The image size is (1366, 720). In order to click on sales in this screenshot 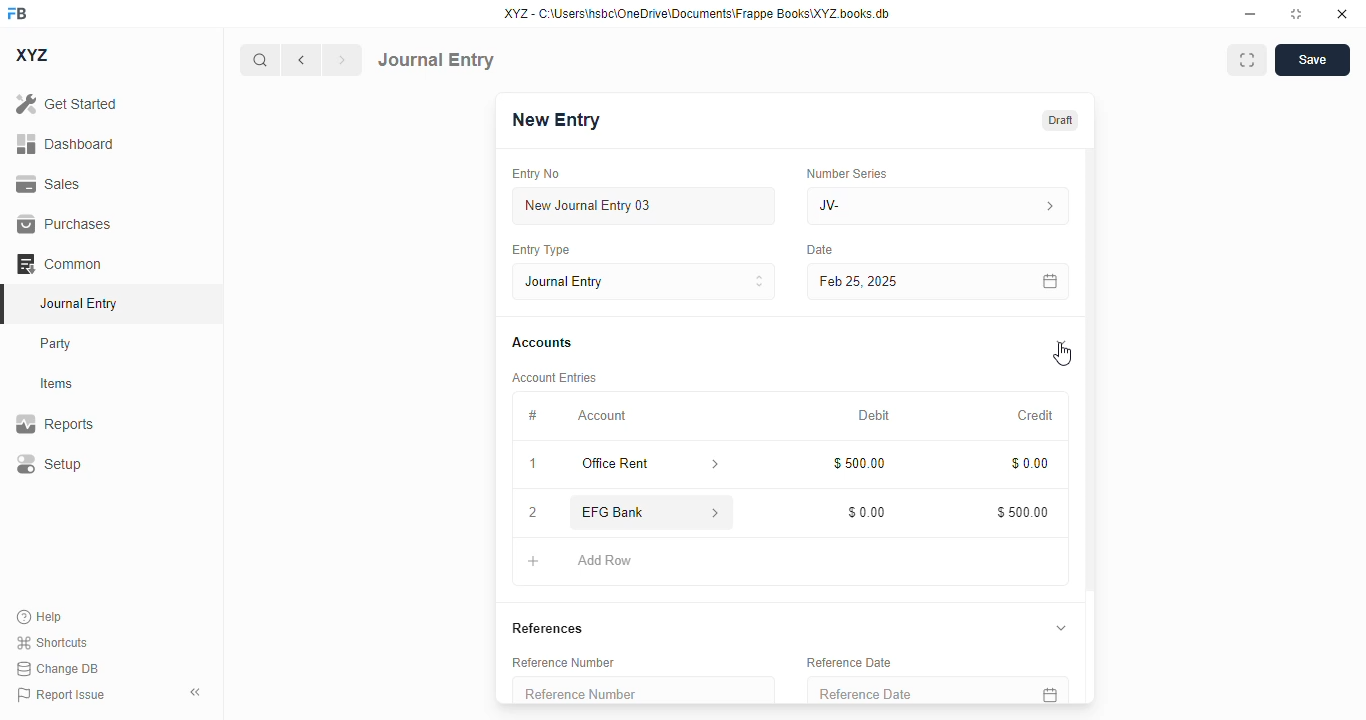, I will do `click(51, 185)`.